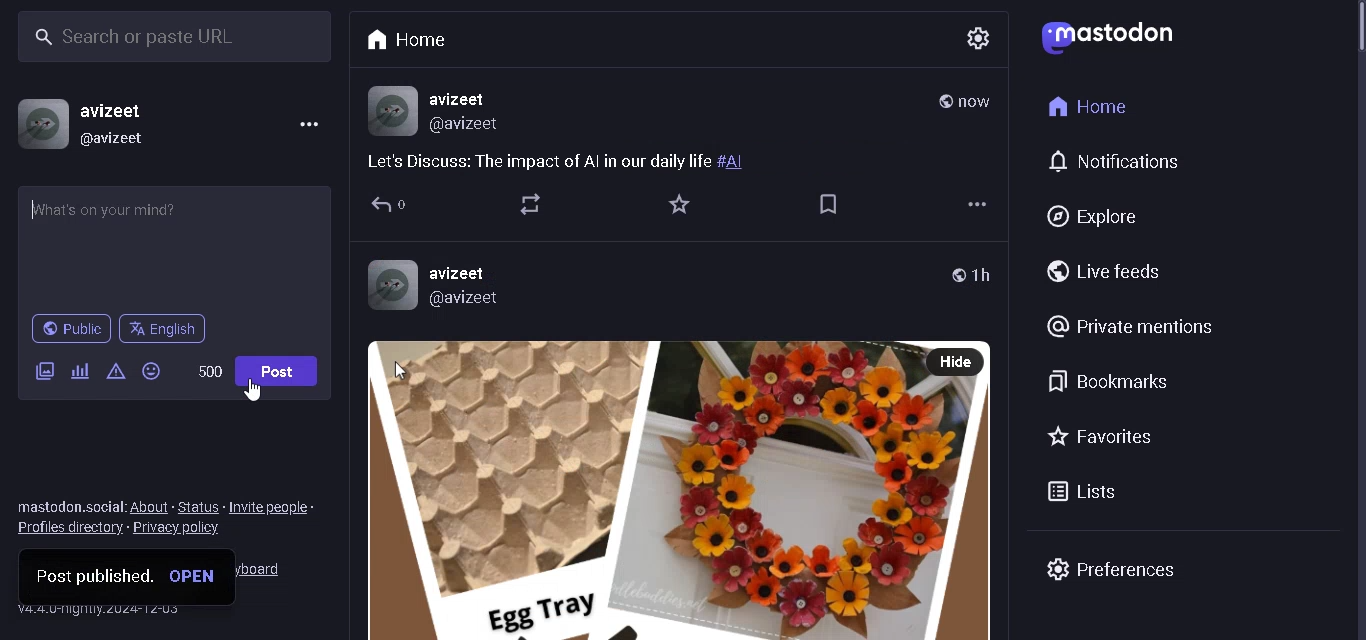  Describe the element at coordinates (1075, 495) in the screenshot. I see `LISTS` at that location.